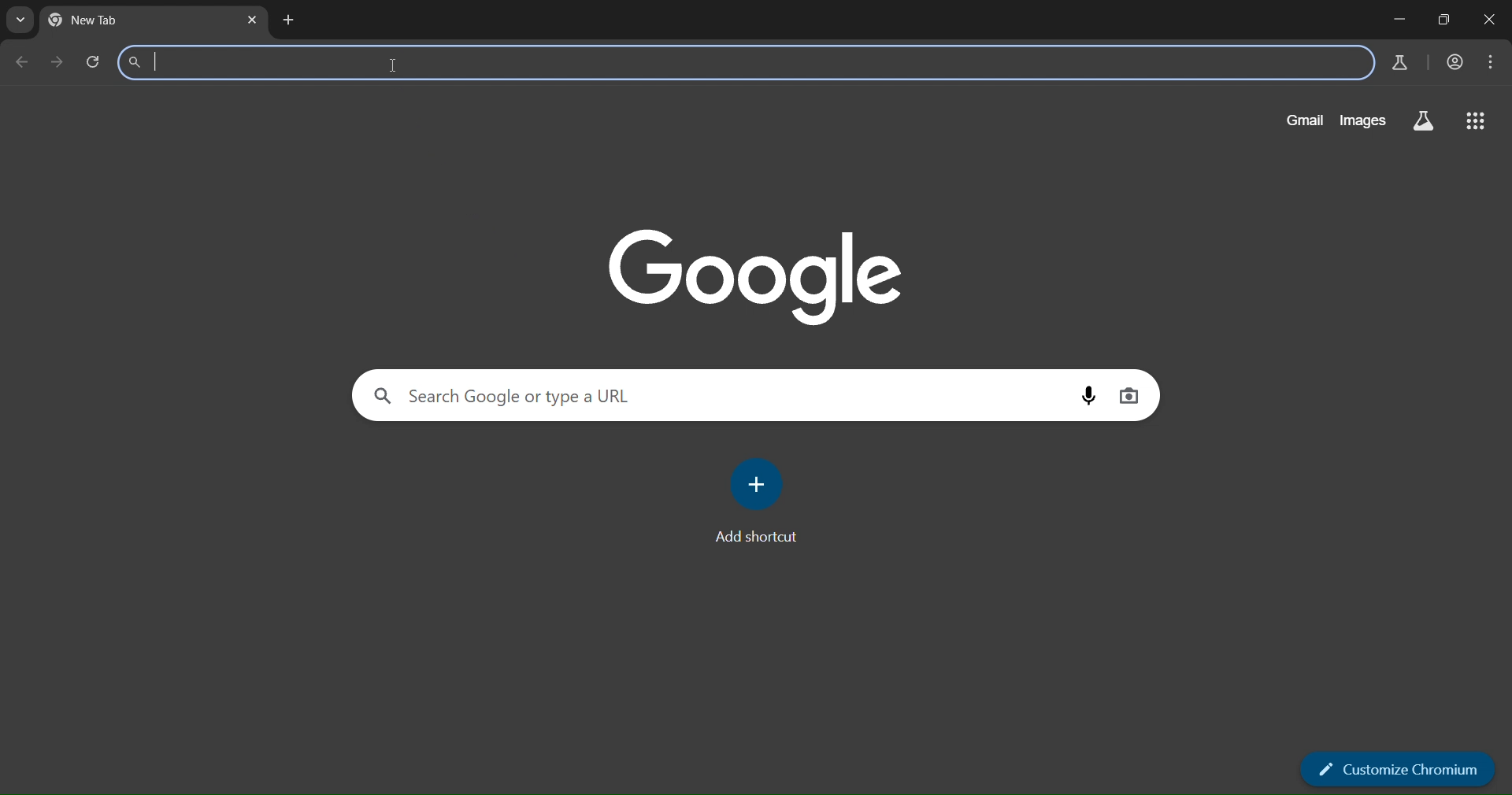 The height and width of the screenshot is (795, 1512). Describe the element at coordinates (1475, 121) in the screenshot. I see `google apps` at that location.